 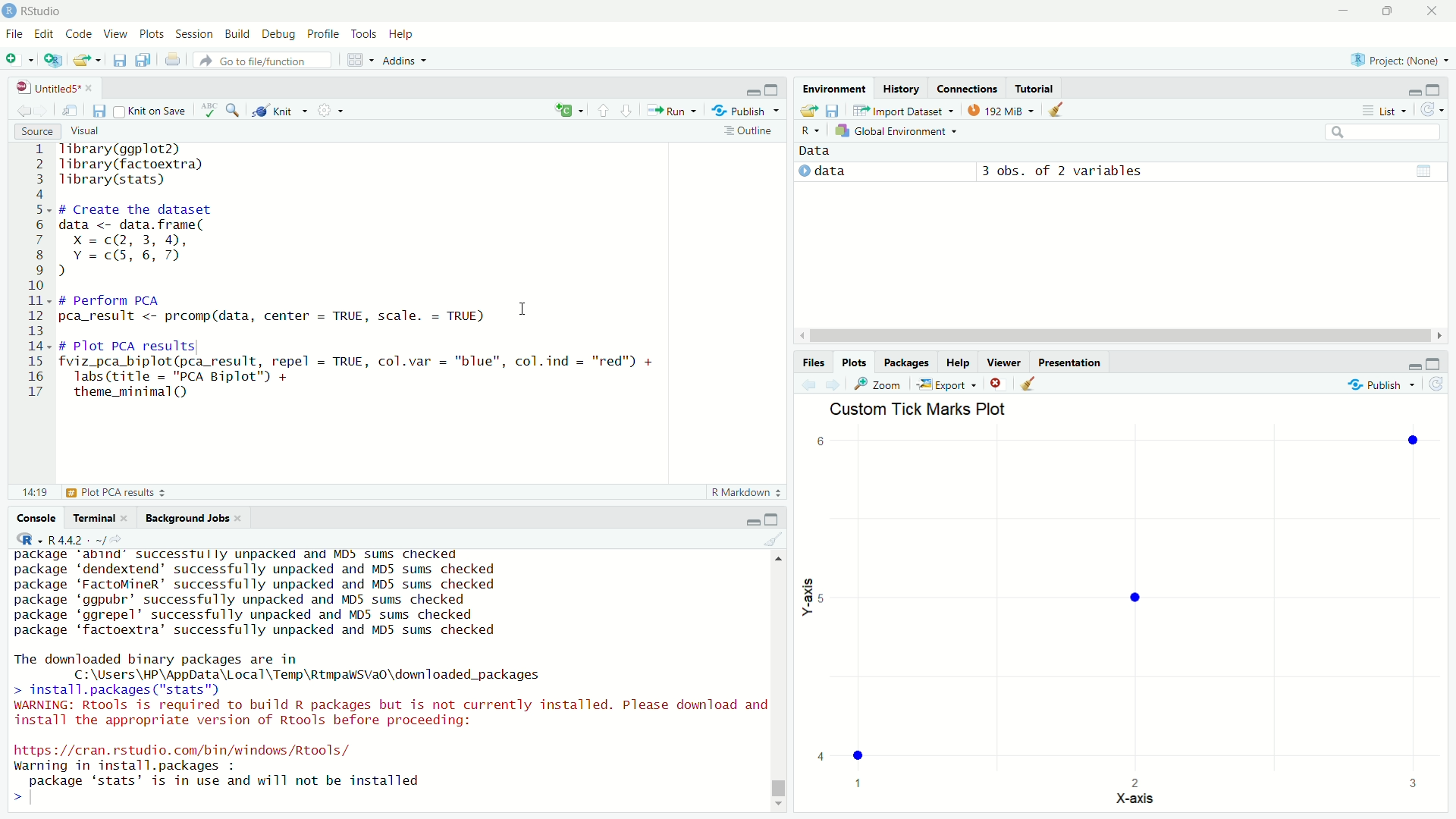 What do you see at coordinates (152, 112) in the screenshot?
I see `source on save` at bounding box center [152, 112].